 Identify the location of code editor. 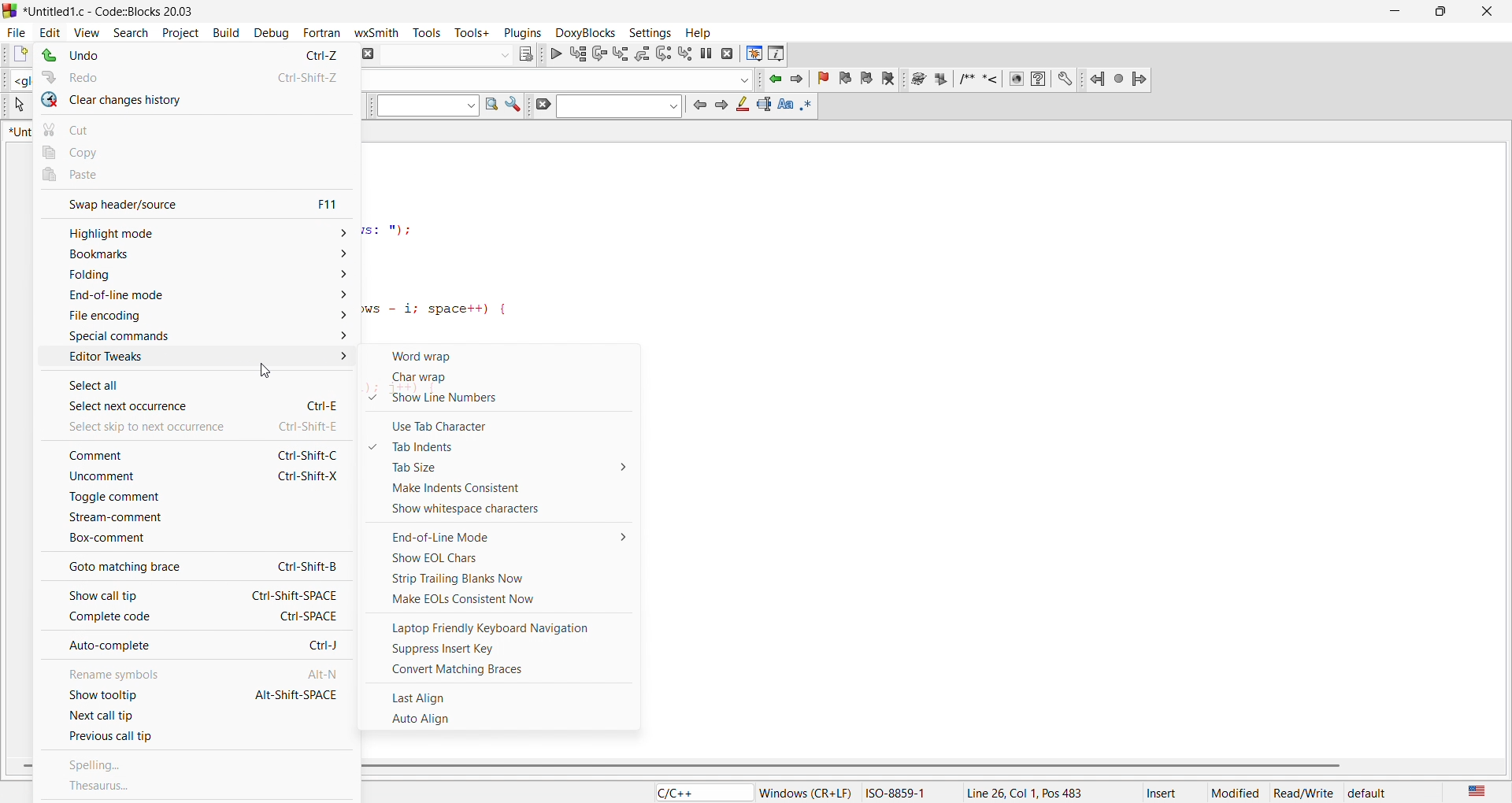
(572, 241).